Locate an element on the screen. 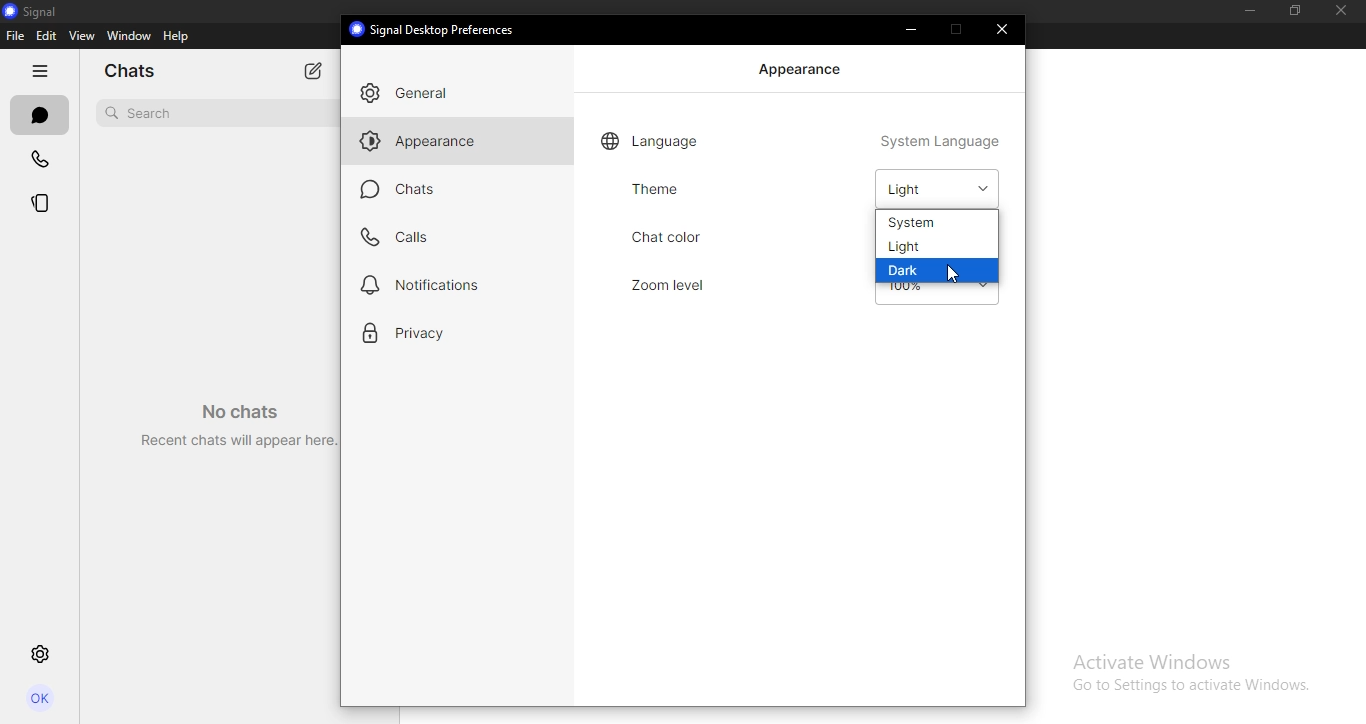 This screenshot has height=724, width=1366. ® Signal Desktop Preferences is located at coordinates (435, 29).